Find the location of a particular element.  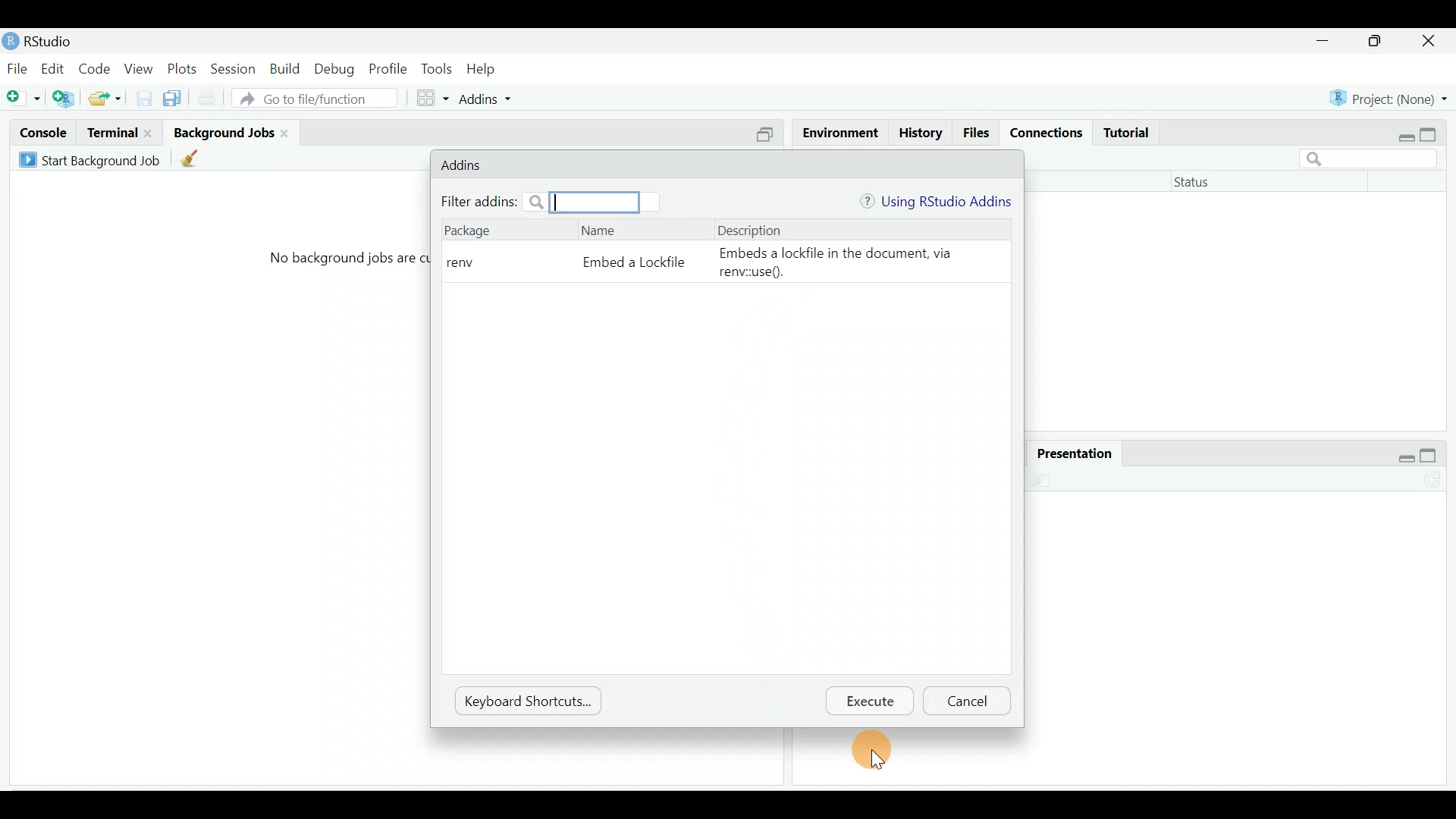

minimize is located at coordinates (1330, 42).